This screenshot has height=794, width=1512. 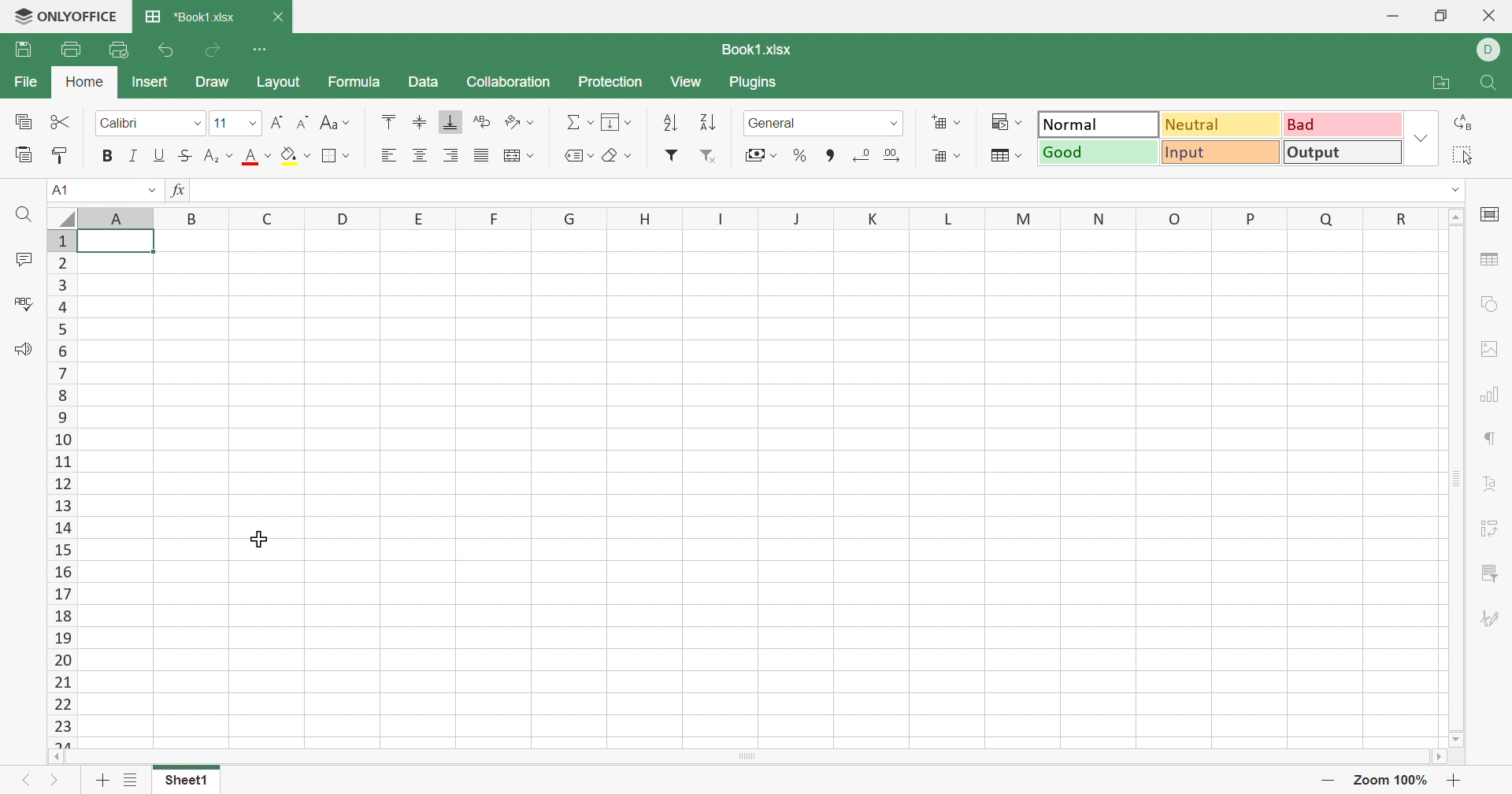 I want to click on Draw, so click(x=213, y=81).